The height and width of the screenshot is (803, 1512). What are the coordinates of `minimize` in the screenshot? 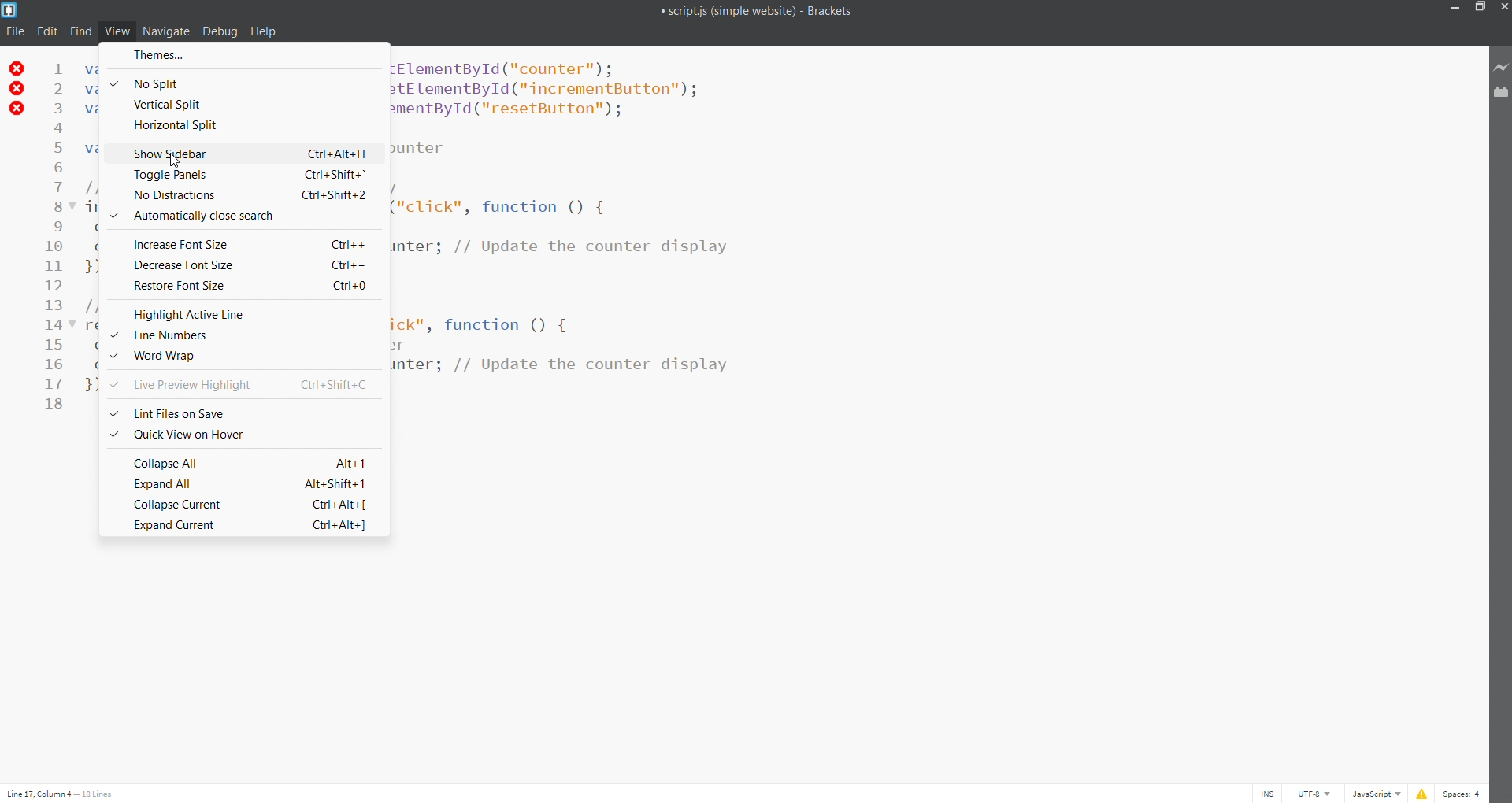 It's located at (1458, 9).